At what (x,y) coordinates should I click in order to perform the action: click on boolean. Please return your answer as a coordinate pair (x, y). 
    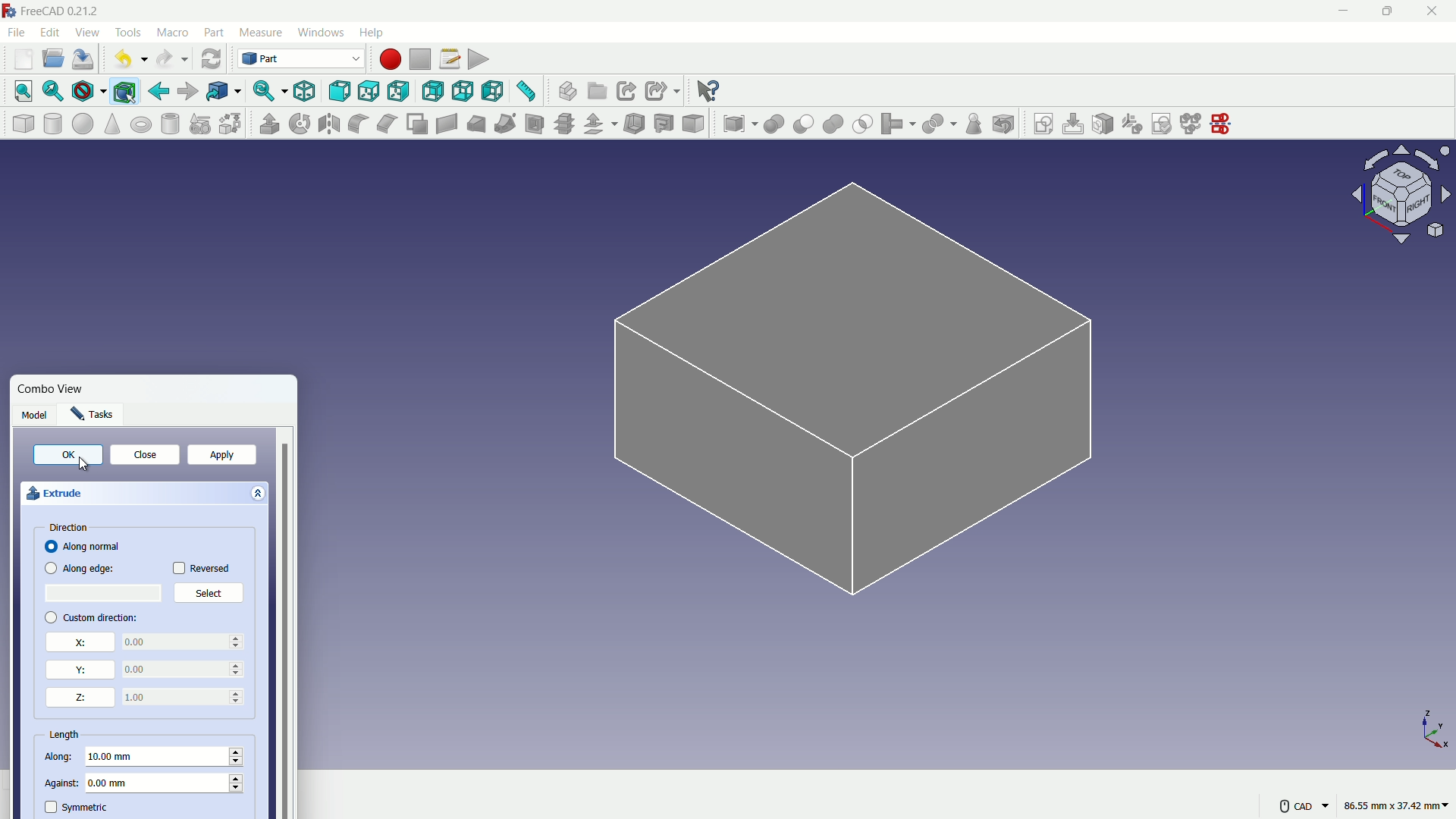
    Looking at the image, I should click on (775, 124).